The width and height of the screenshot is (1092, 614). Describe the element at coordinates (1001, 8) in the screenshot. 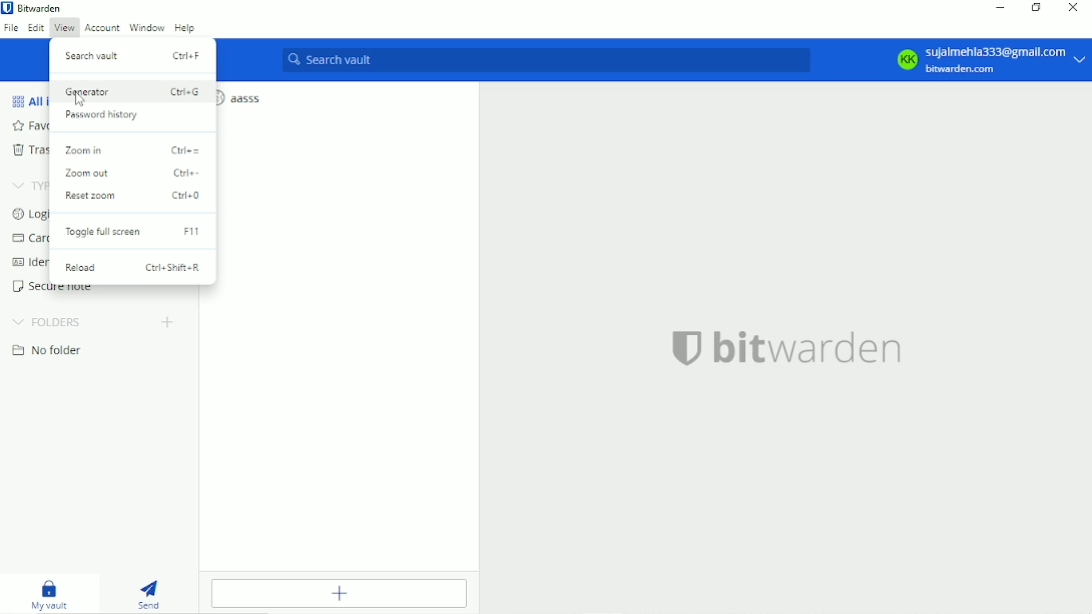

I see `Minimize` at that location.